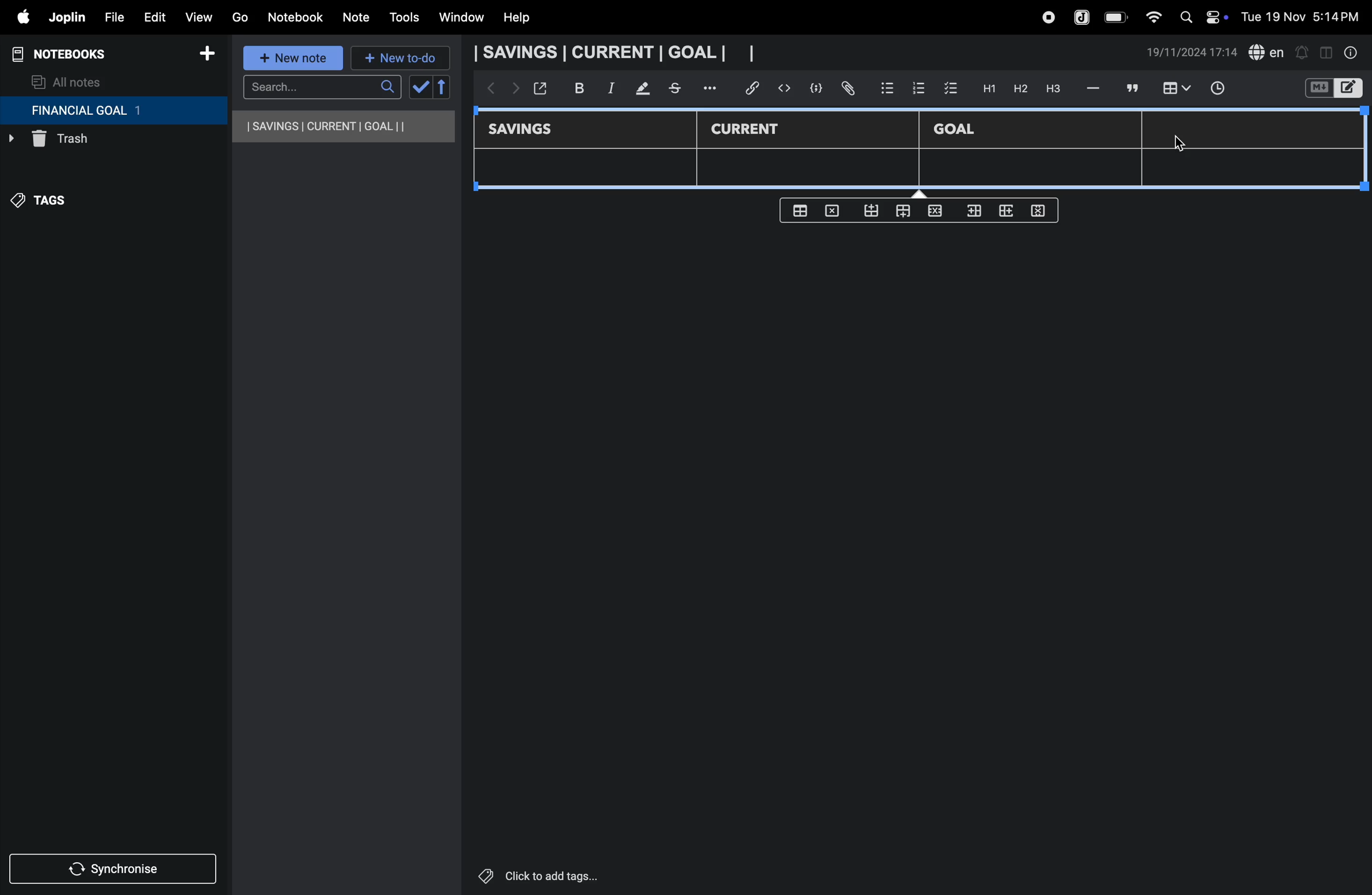  I want to click on new to-do, so click(401, 59).